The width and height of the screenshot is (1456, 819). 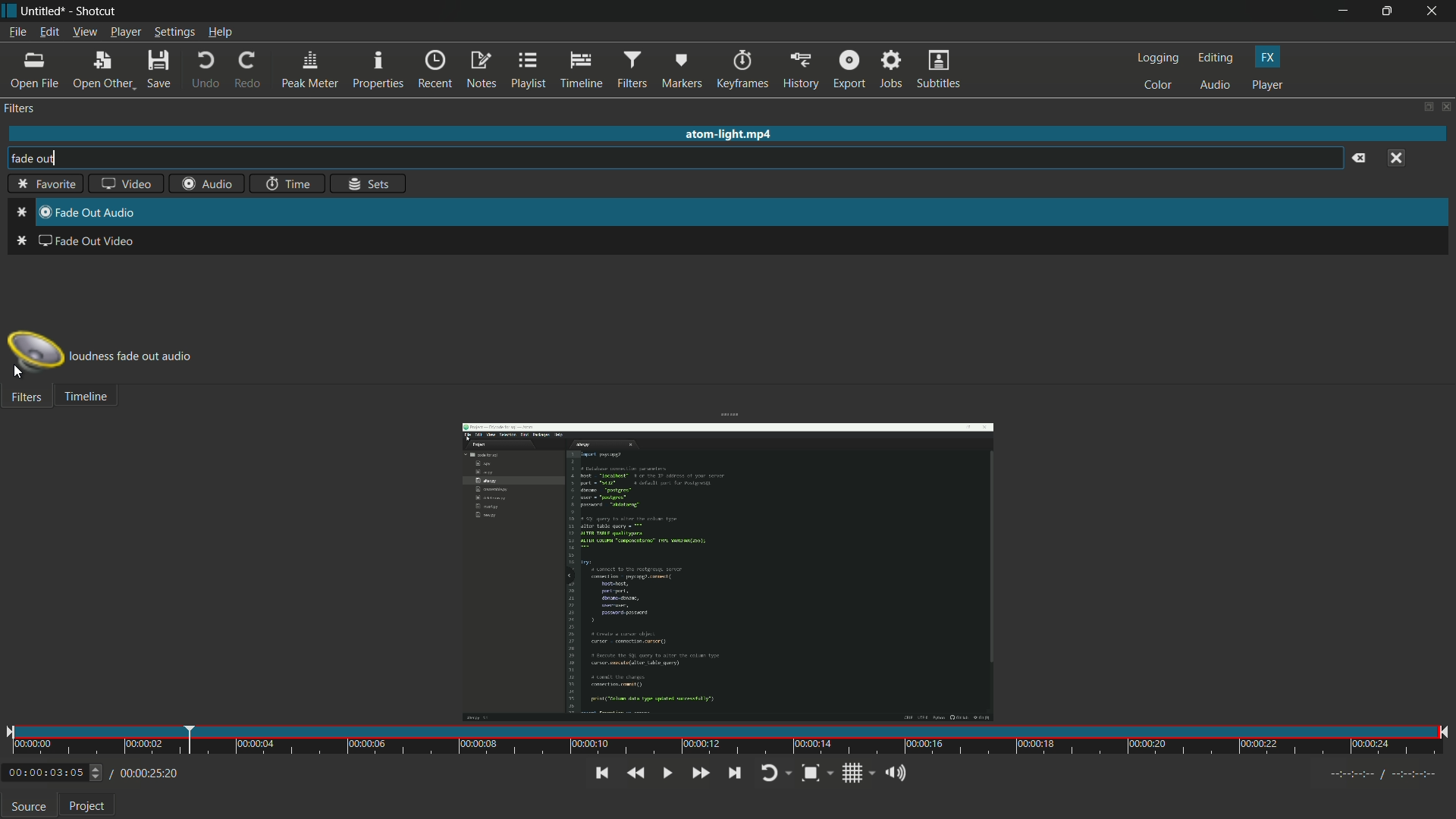 What do you see at coordinates (734, 773) in the screenshot?
I see `skip to the next point` at bounding box center [734, 773].